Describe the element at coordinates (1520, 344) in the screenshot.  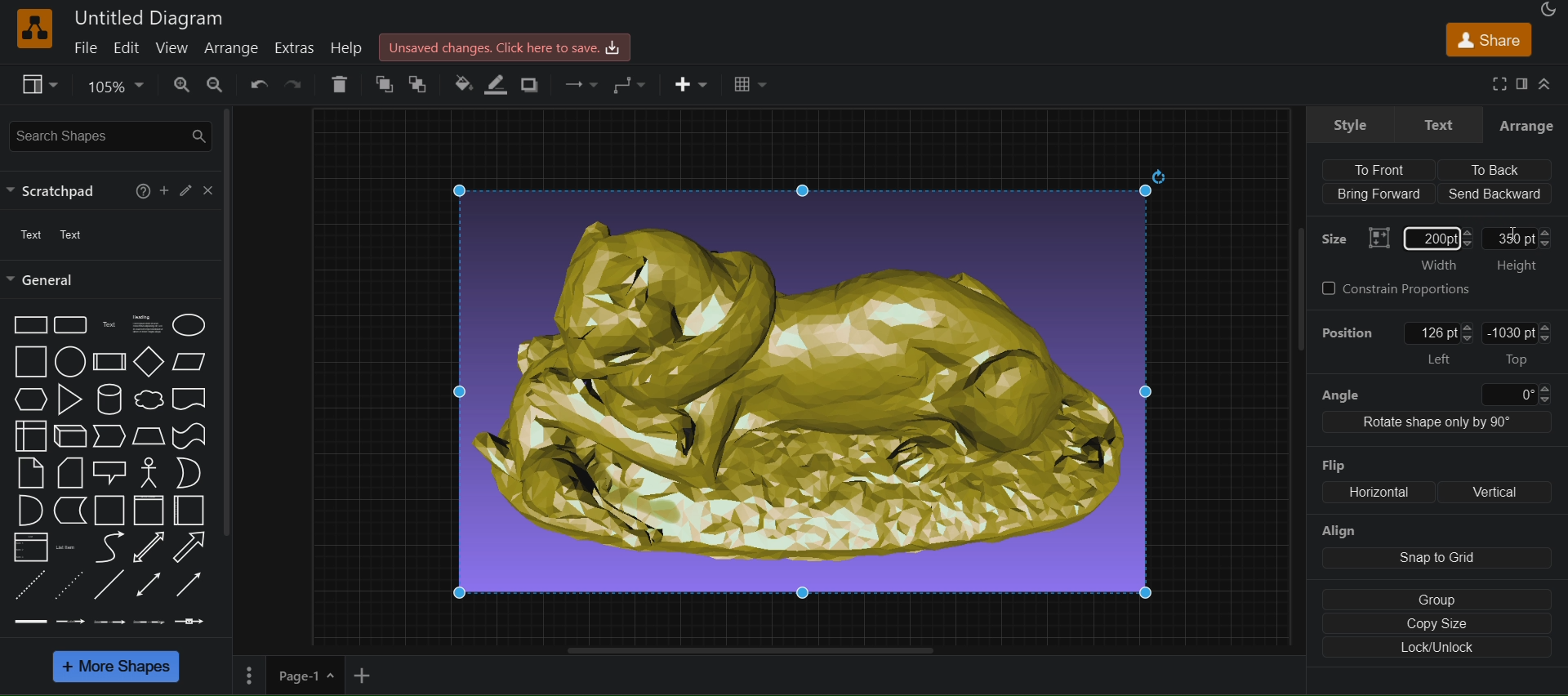
I see `-1030pt Top` at that location.